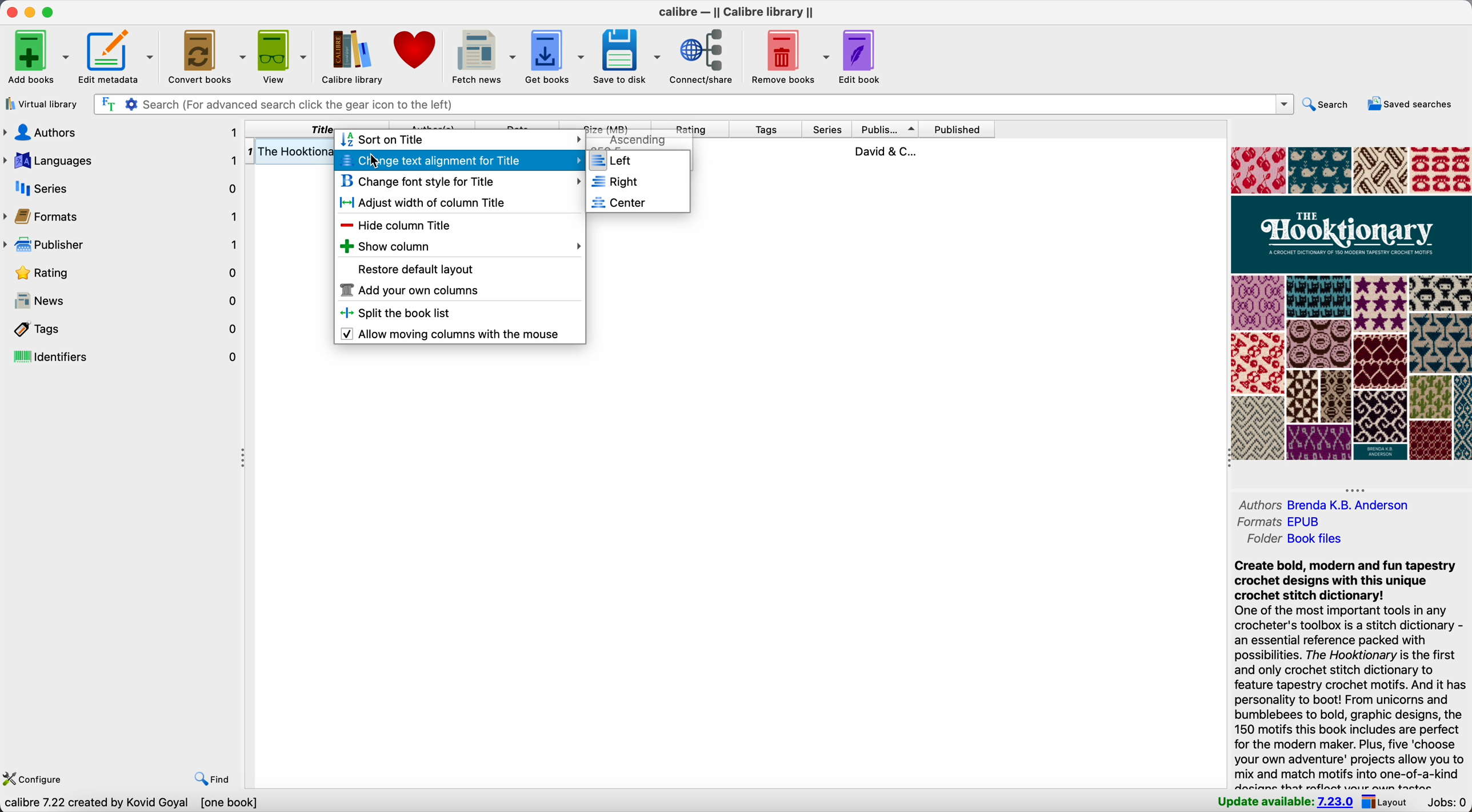 The width and height of the screenshot is (1472, 812). I want to click on tags, so click(127, 330).